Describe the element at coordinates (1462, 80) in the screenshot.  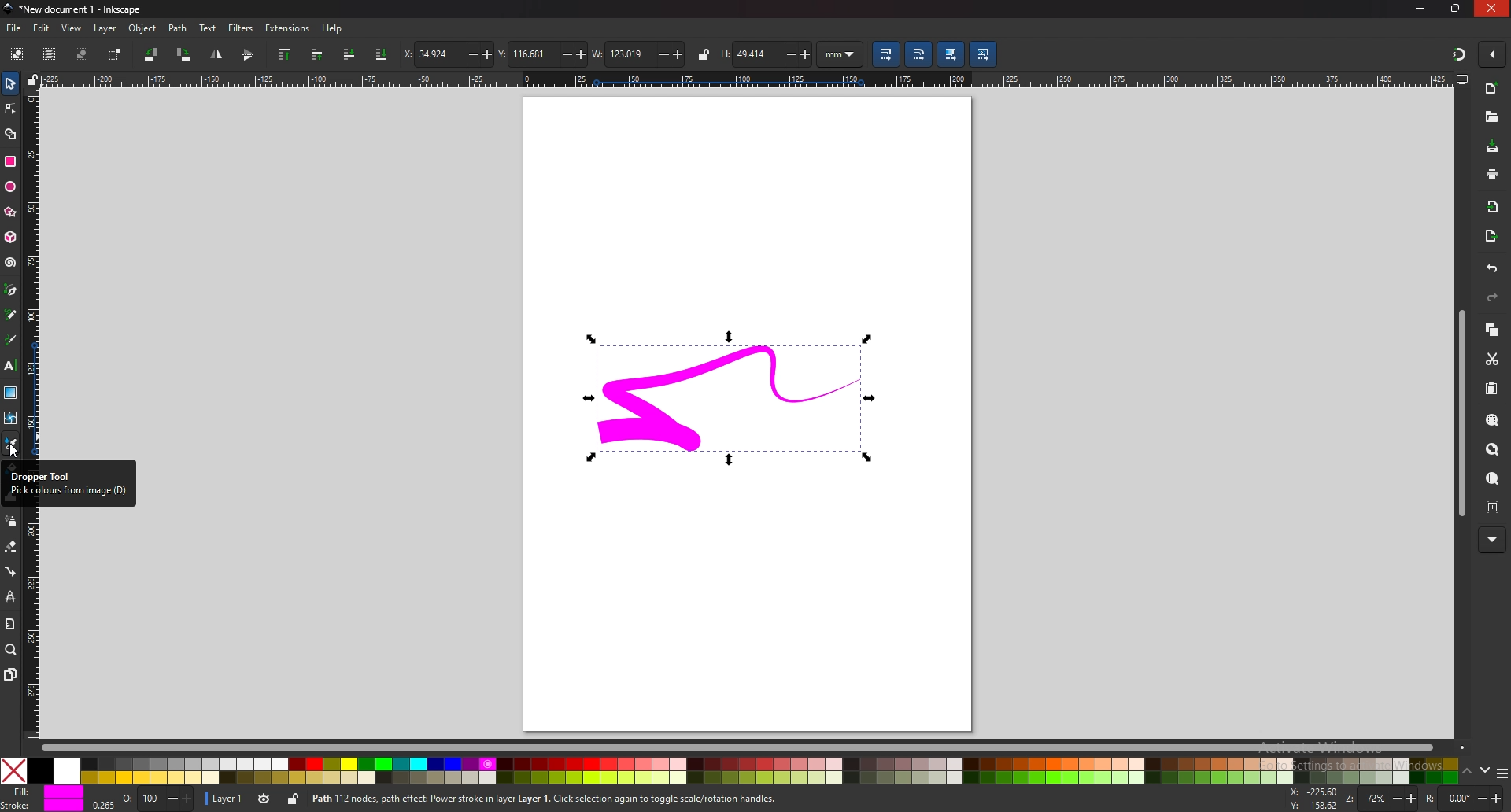
I see `display views` at that location.